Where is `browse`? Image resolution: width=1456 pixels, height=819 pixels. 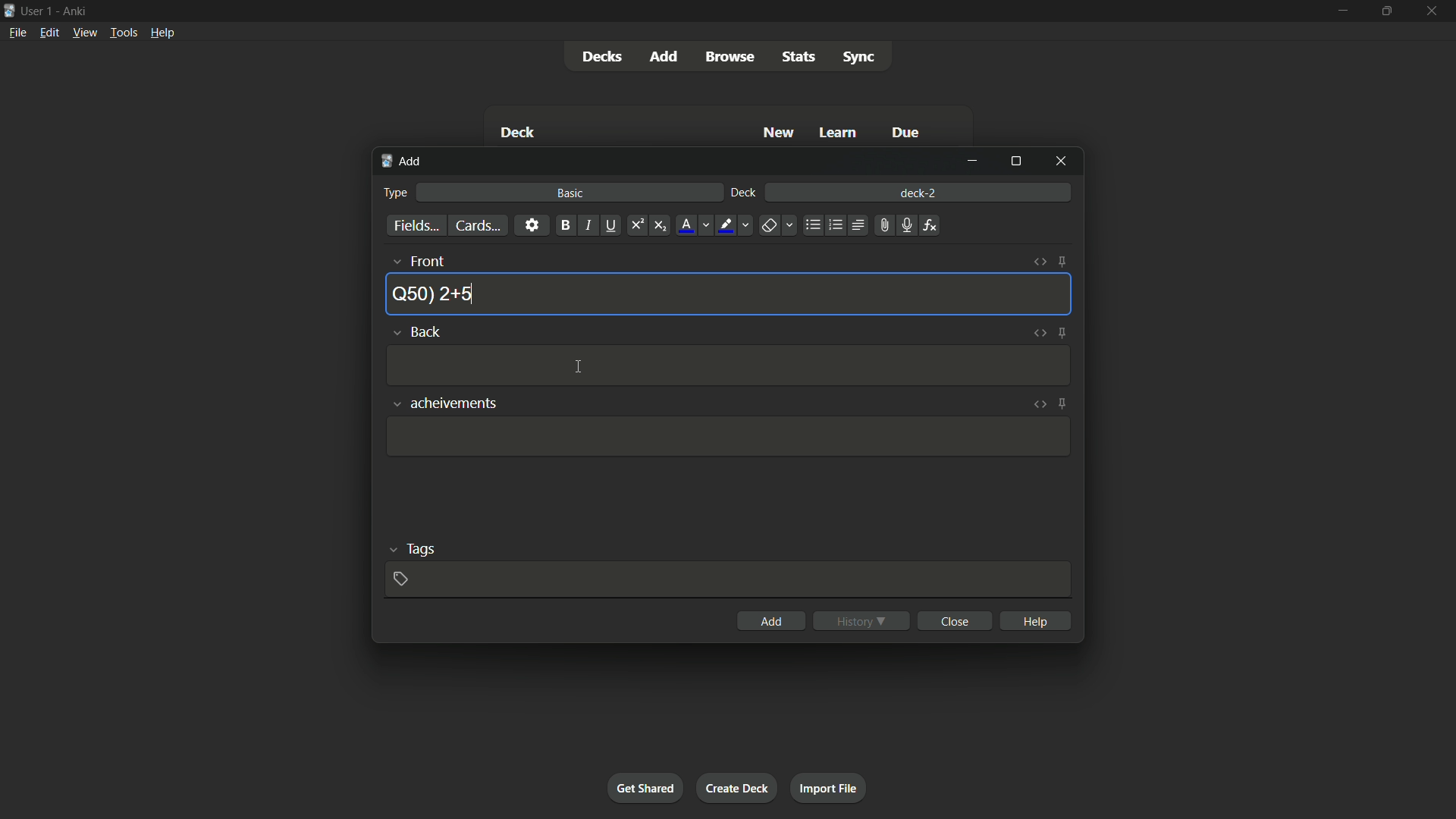 browse is located at coordinates (727, 57).